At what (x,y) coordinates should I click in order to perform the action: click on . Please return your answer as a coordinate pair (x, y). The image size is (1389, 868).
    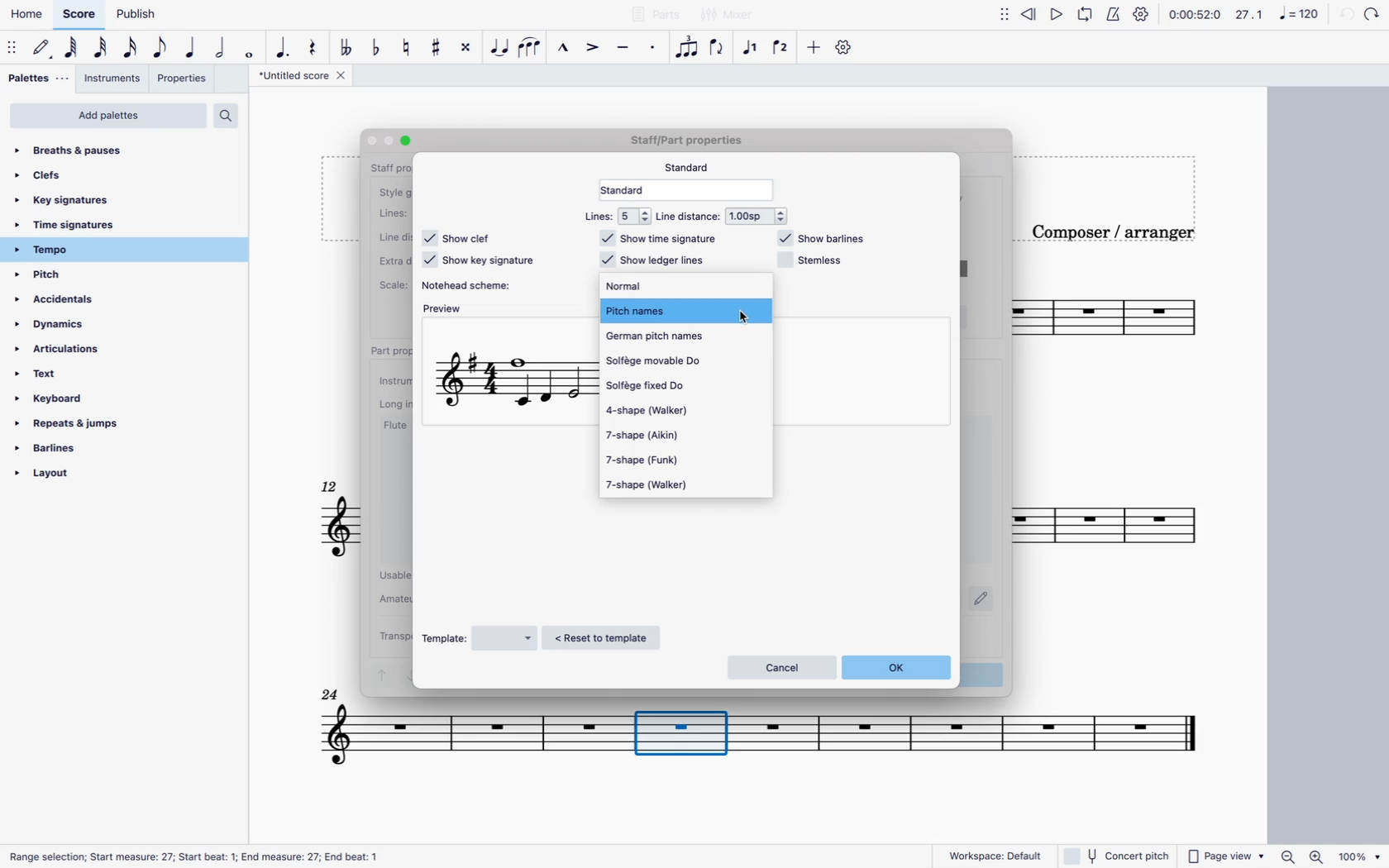
    Looking at the image, I should click on (330, 694).